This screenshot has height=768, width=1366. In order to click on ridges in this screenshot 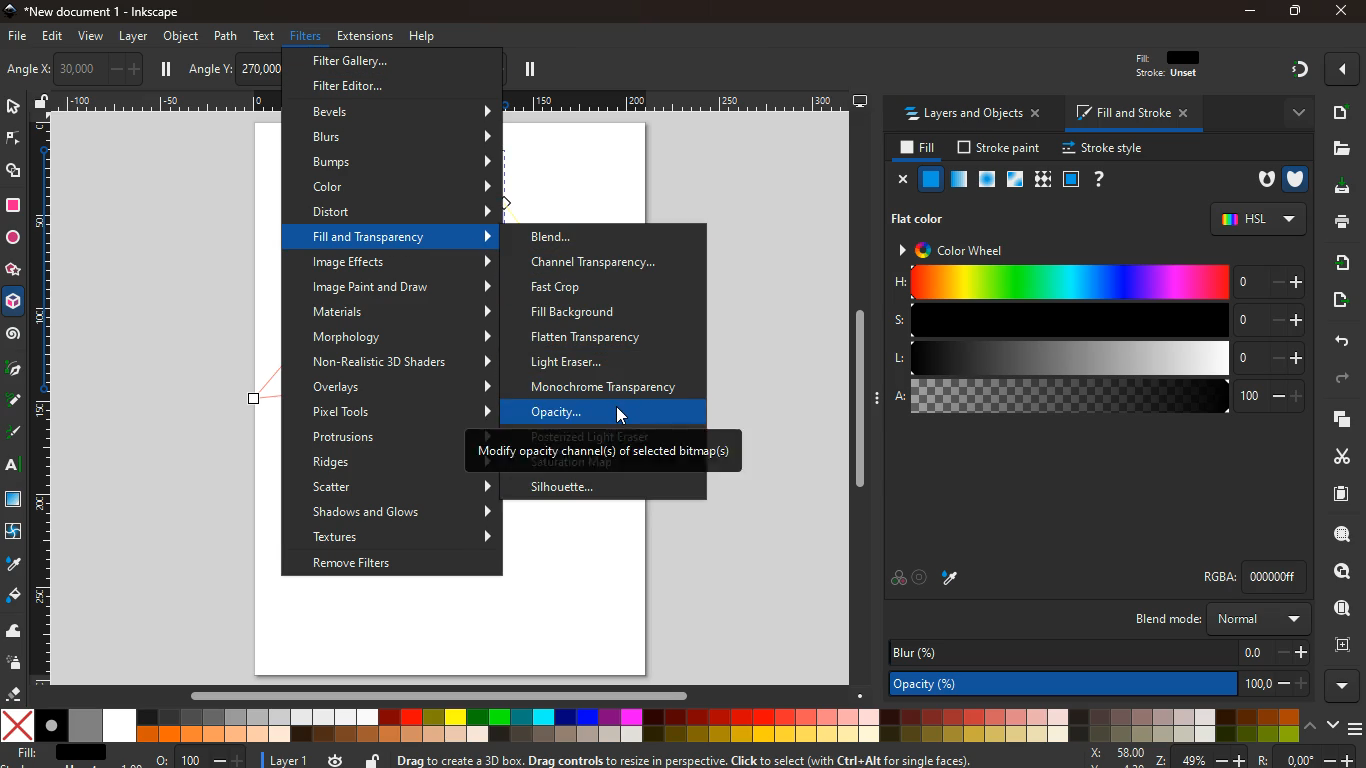, I will do `click(376, 462)`.